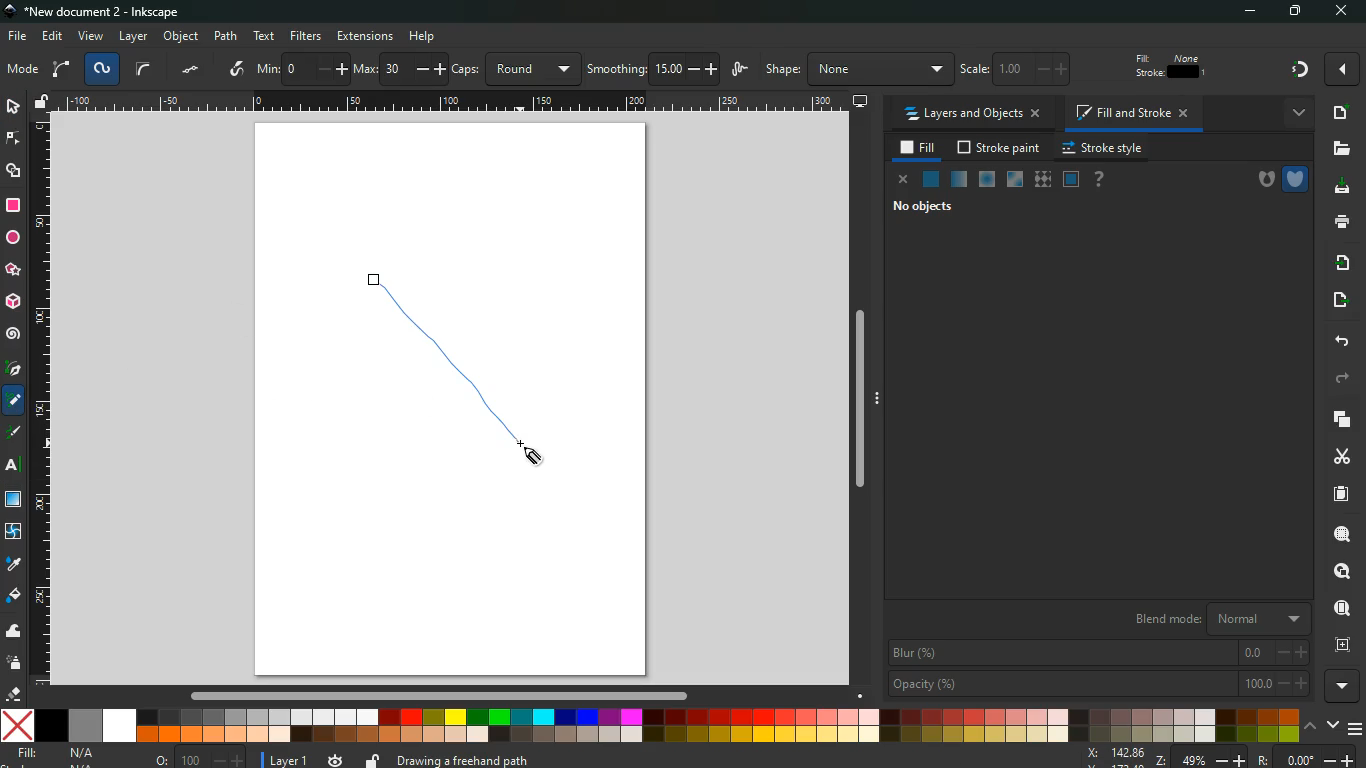 This screenshot has width=1366, height=768. Describe the element at coordinates (423, 35) in the screenshot. I see `` at that location.